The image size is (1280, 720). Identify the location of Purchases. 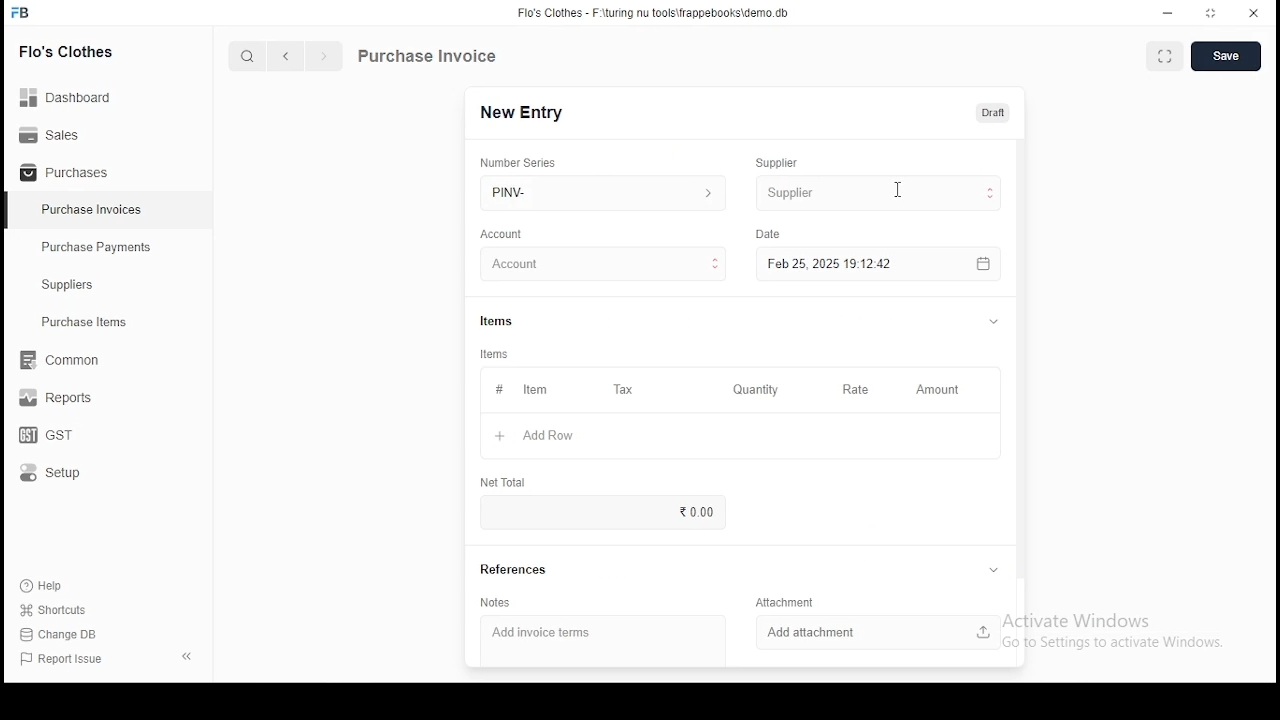
(65, 173).